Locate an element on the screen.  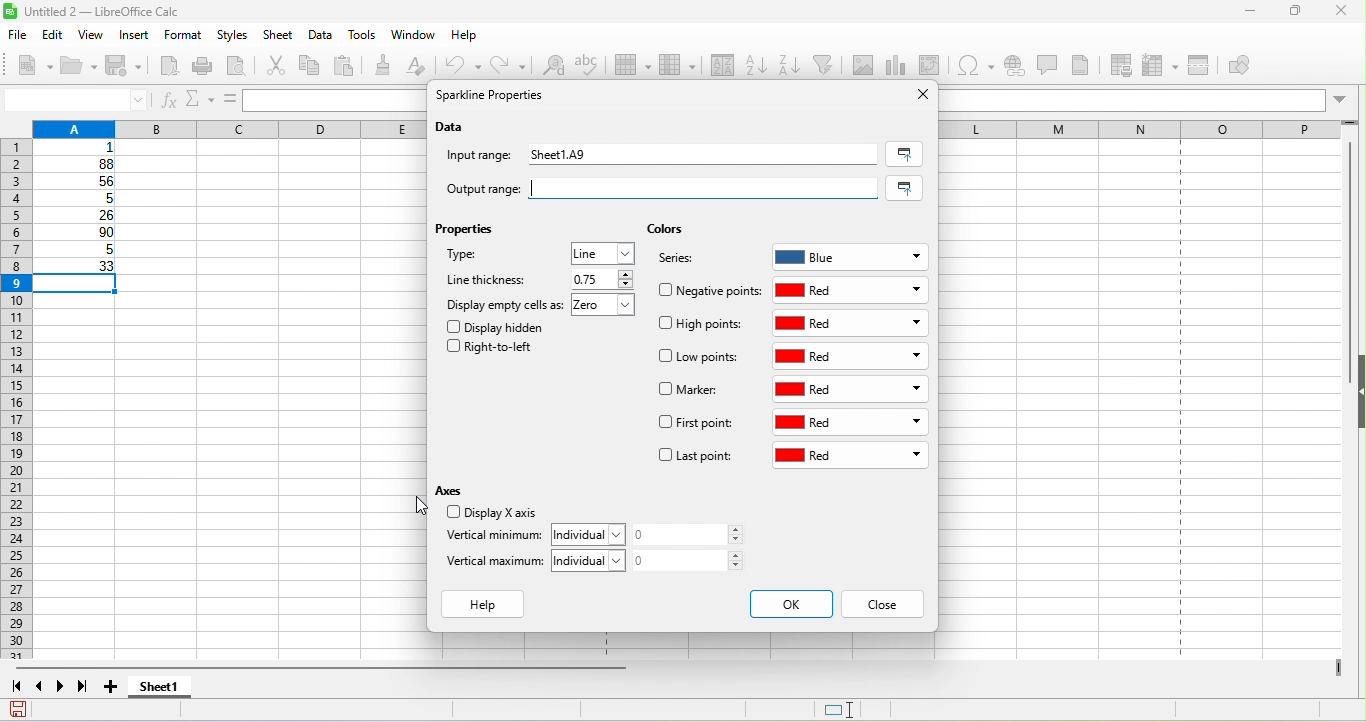
formula bar is located at coordinates (1149, 99).